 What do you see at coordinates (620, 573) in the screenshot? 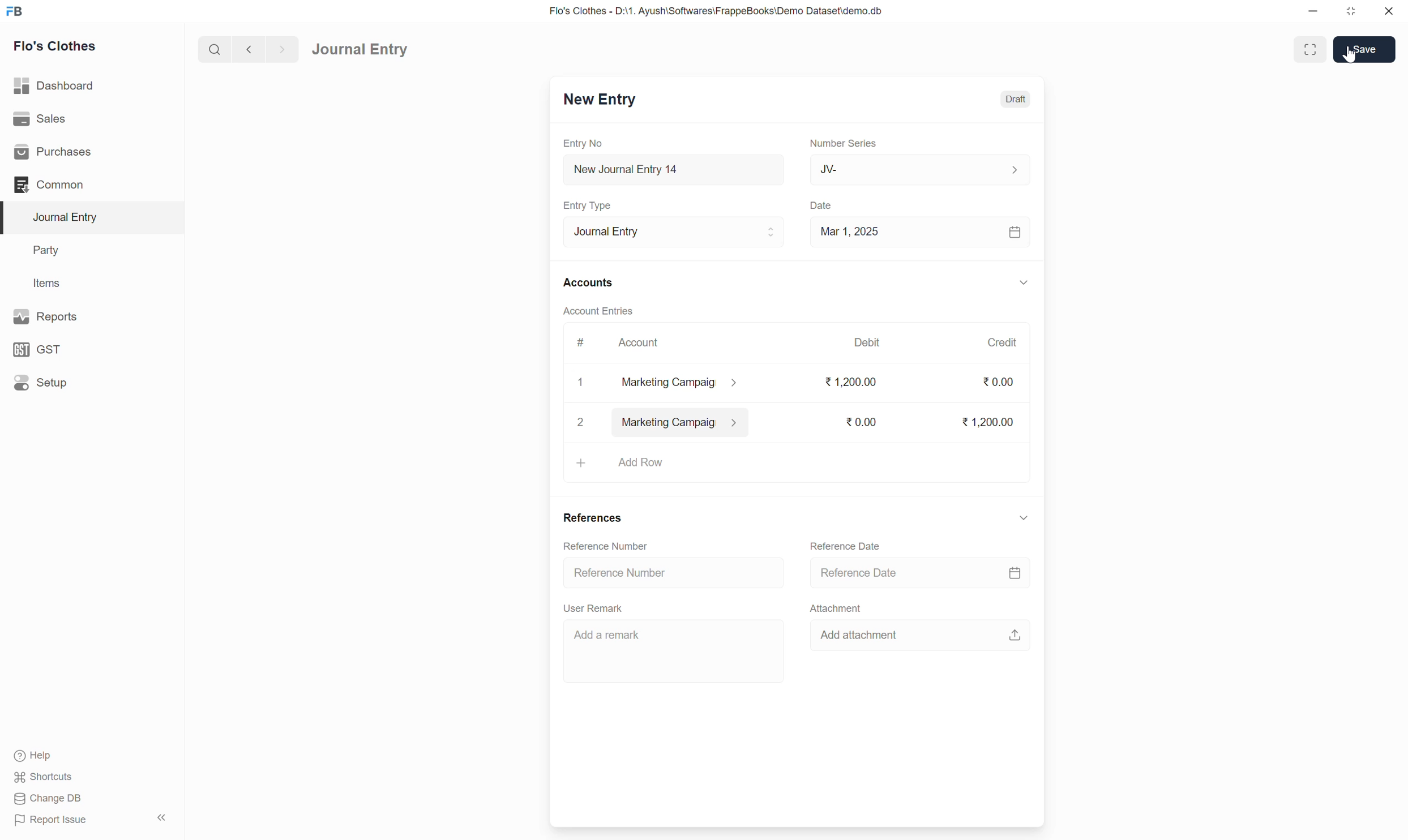
I see `Reference Number` at bounding box center [620, 573].